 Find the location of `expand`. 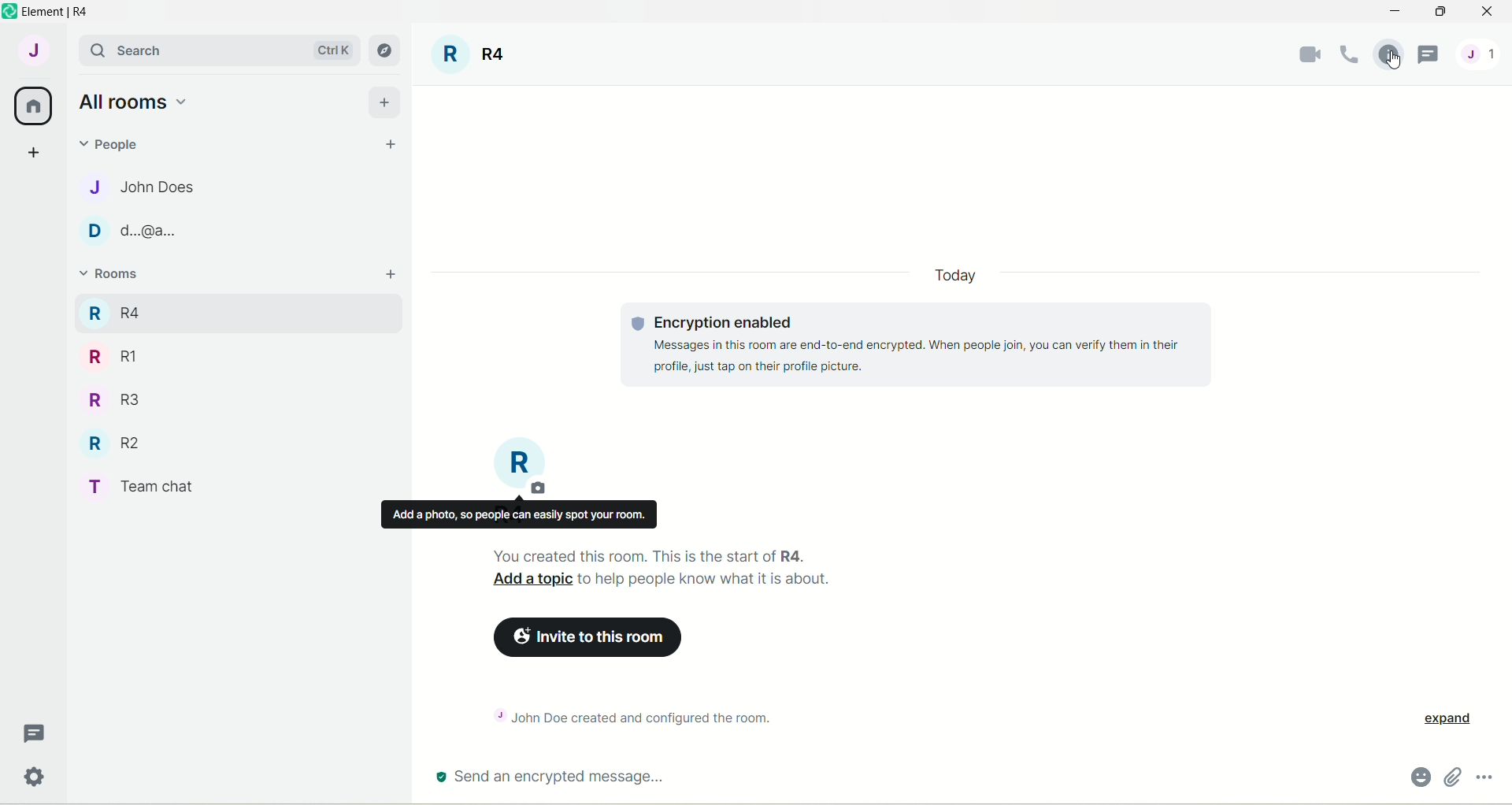

expand is located at coordinates (1454, 719).